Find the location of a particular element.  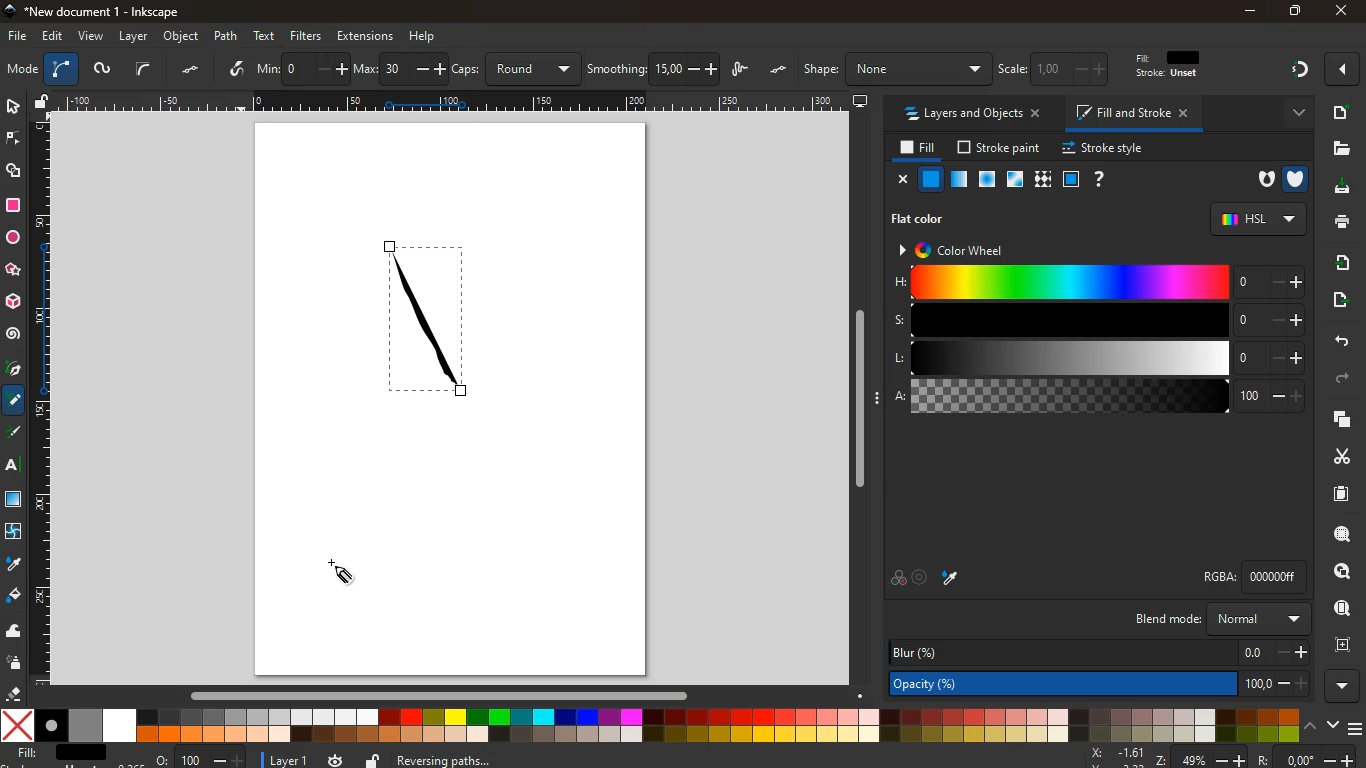

stroke paint is located at coordinates (1001, 148).